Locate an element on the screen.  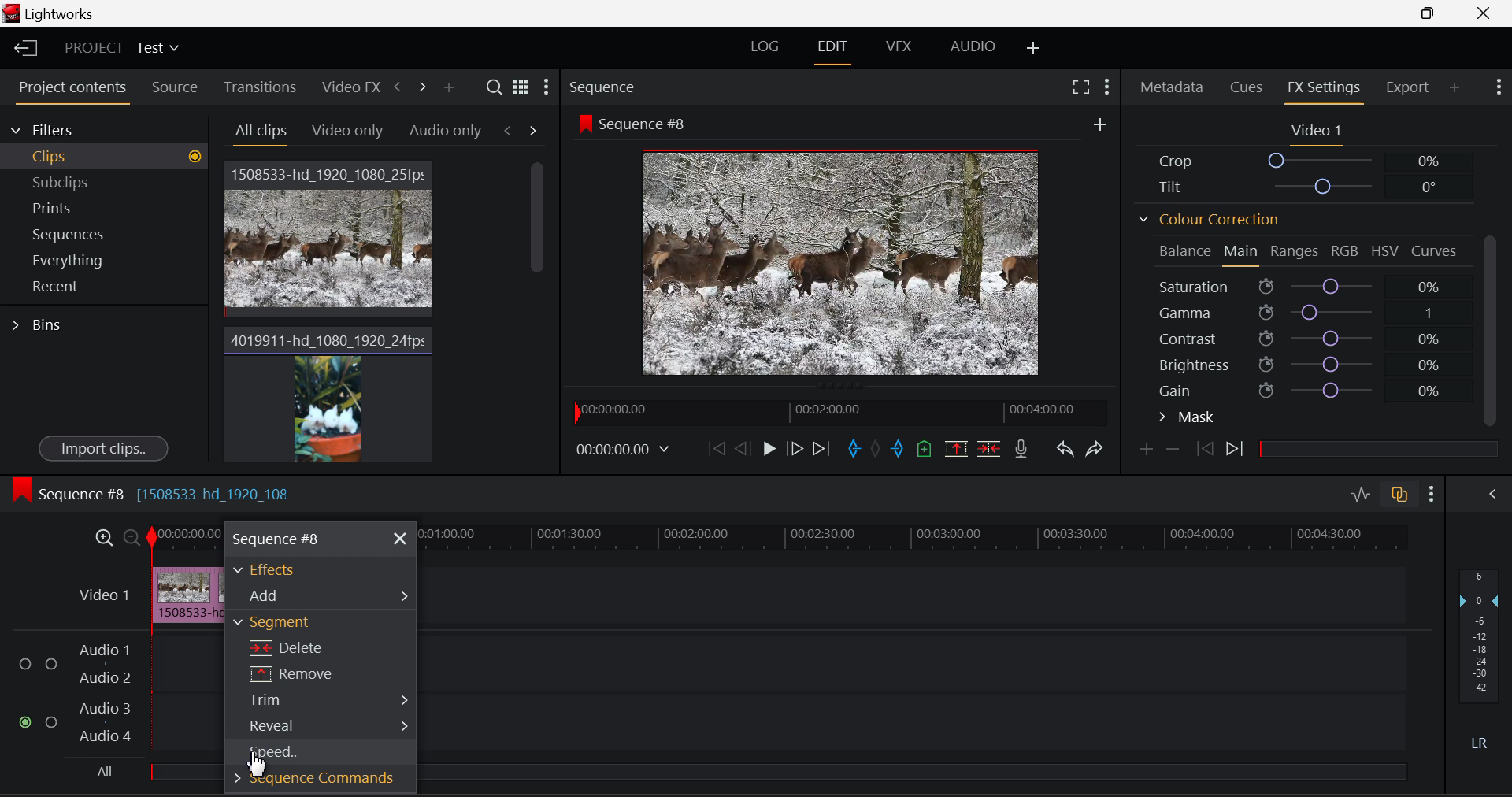
Minimize Timeline is located at coordinates (131, 537).